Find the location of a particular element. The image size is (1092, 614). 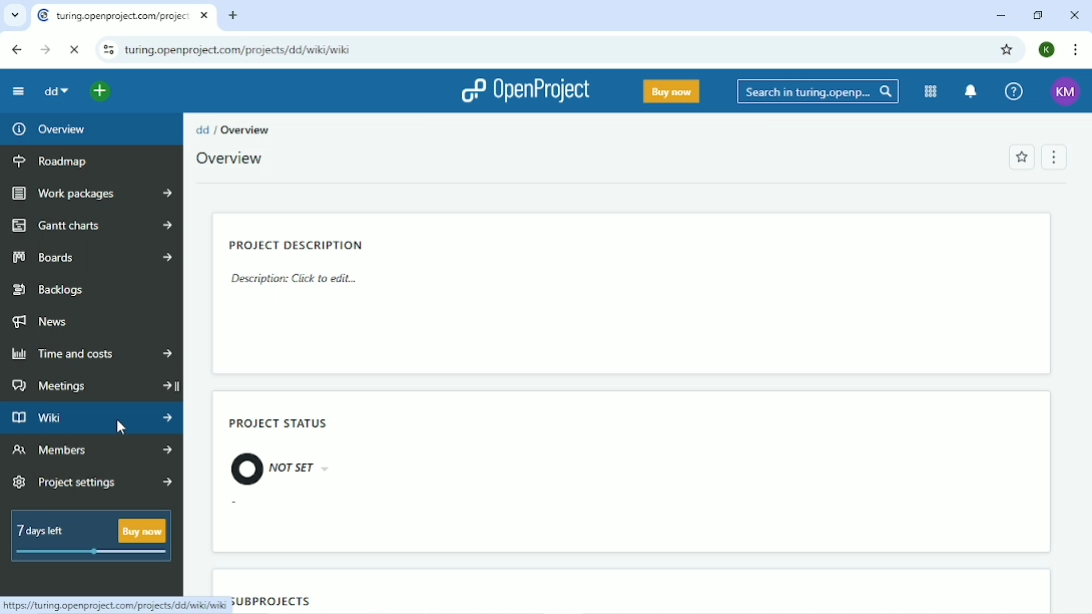

To notification center is located at coordinates (973, 92).